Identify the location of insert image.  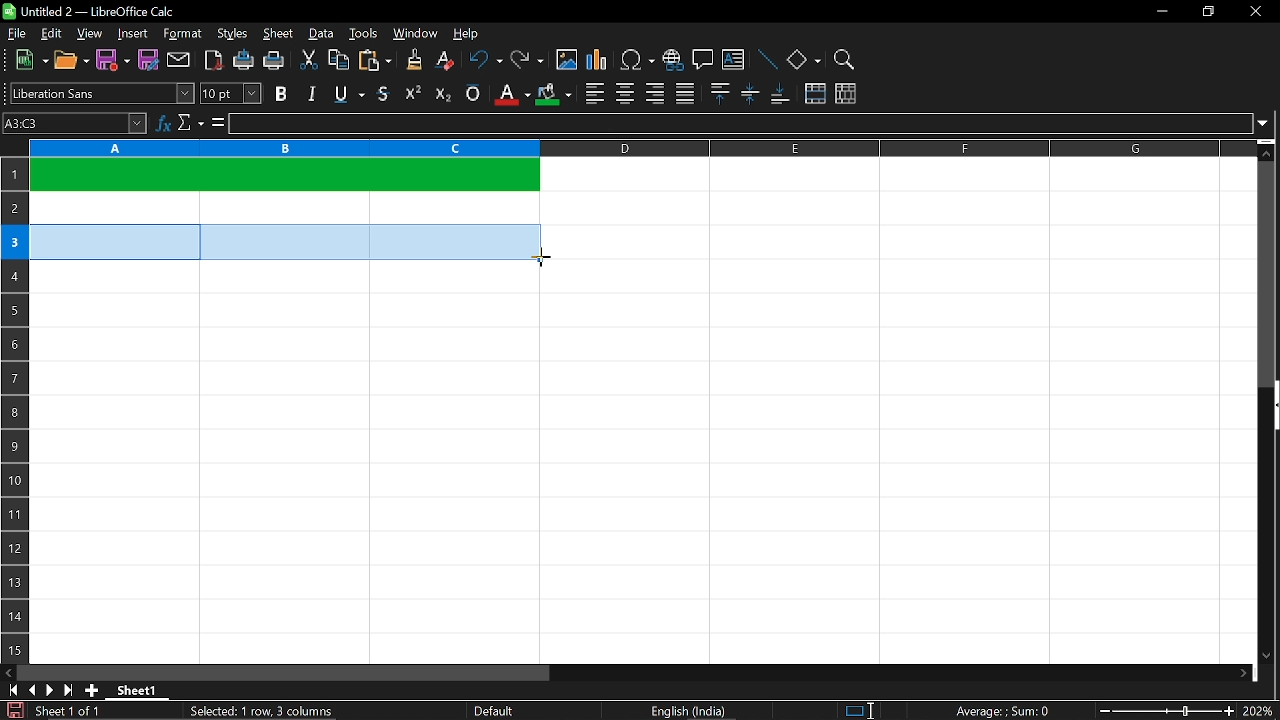
(566, 61).